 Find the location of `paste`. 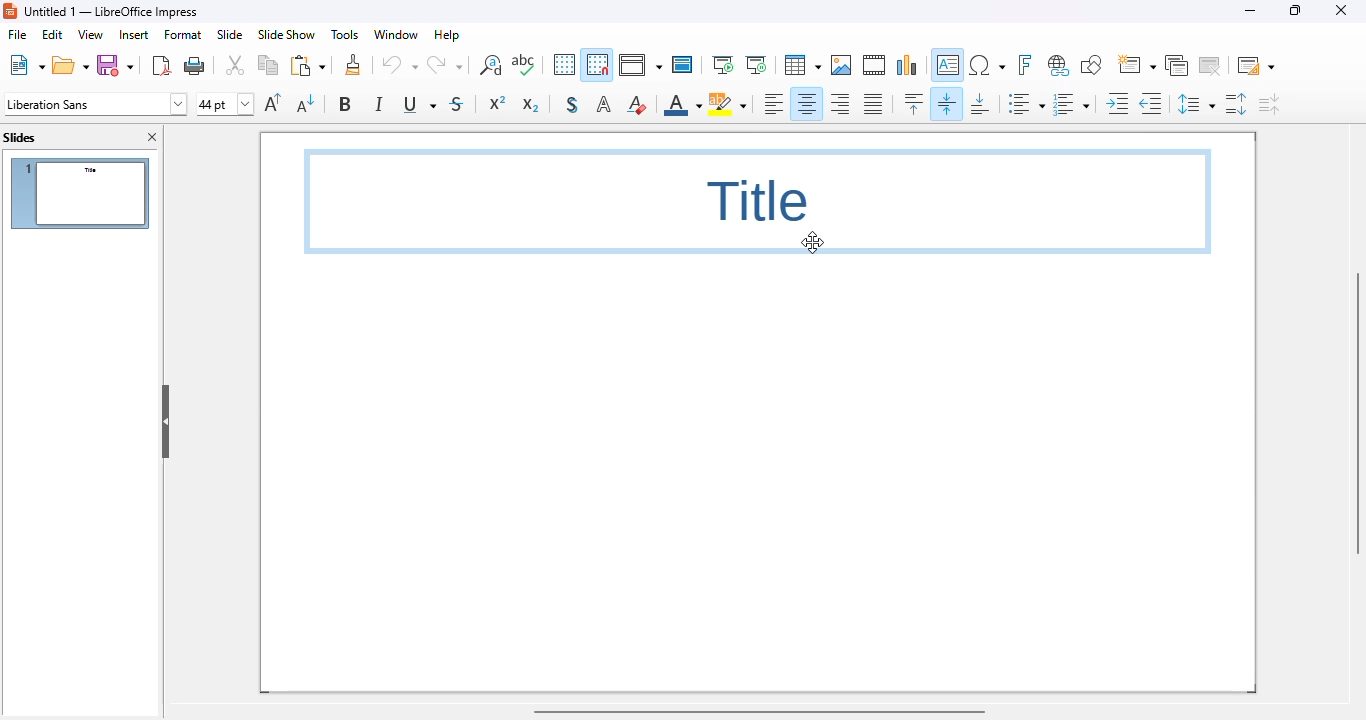

paste is located at coordinates (308, 65).